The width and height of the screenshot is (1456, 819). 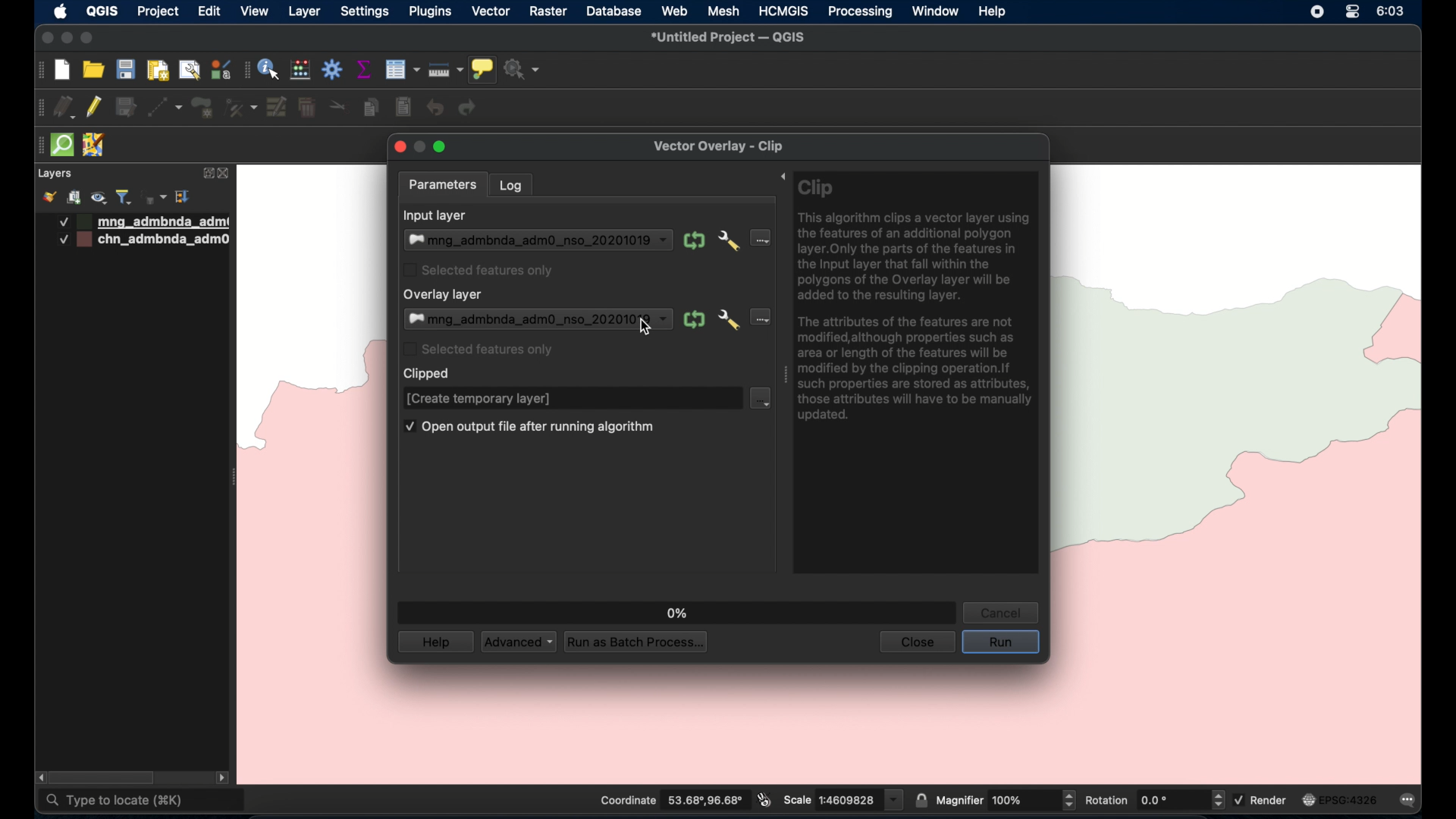 What do you see at coordinates (491, 12) in the screenshot?
I see `vector` at bounding box center [491, 12].